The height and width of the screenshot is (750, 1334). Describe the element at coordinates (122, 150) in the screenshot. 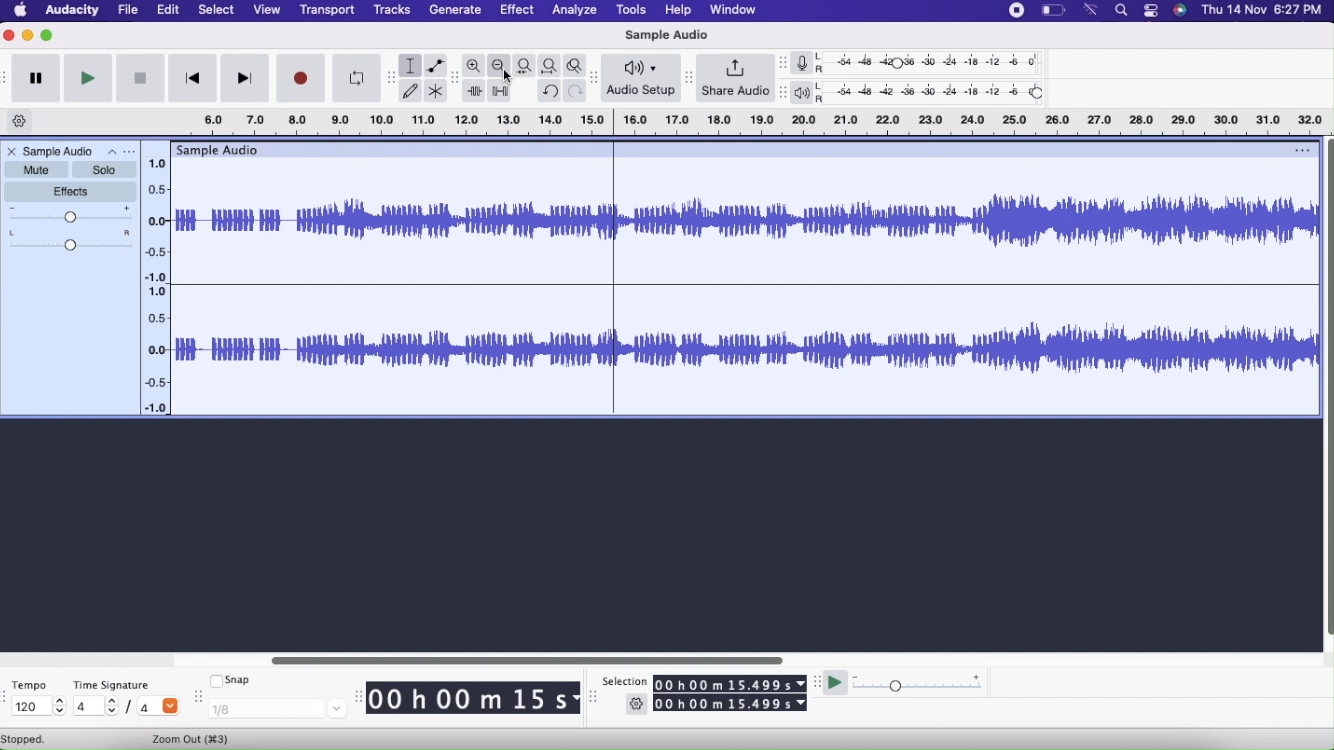

I see `Options` at that location.